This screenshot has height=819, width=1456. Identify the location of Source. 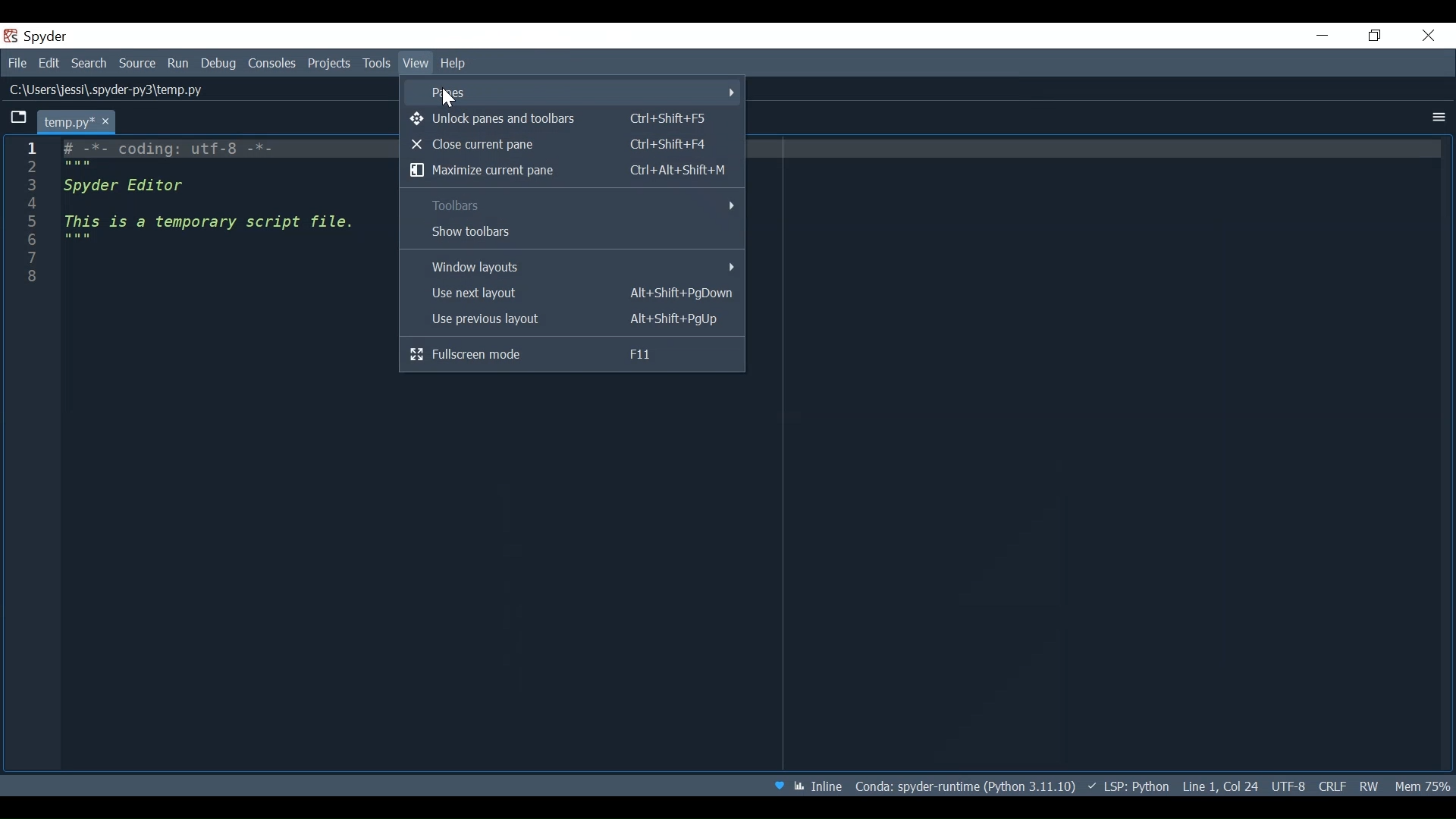
(139, 63).